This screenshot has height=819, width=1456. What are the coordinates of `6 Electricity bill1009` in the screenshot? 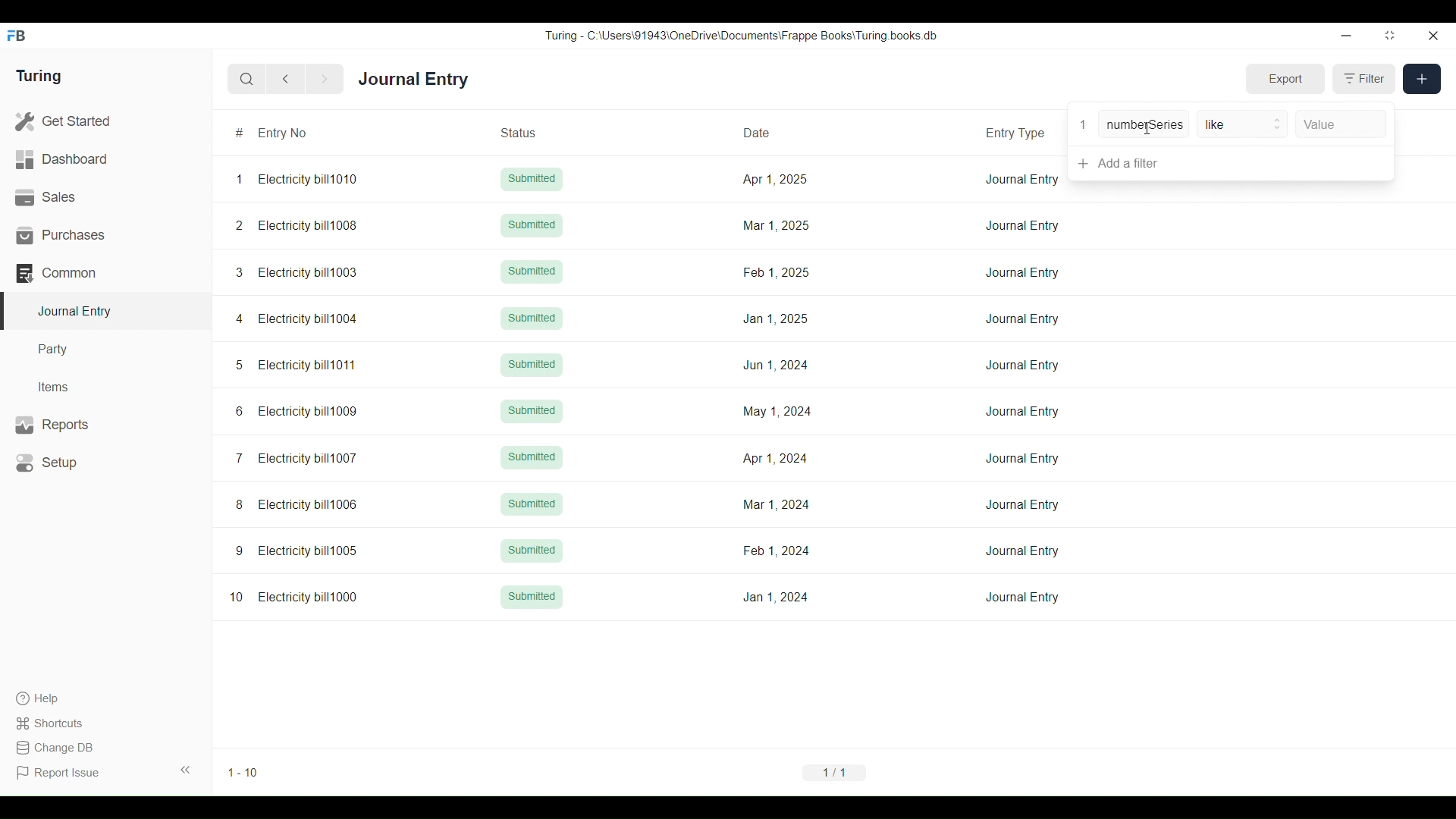 It's located at (297, 411).